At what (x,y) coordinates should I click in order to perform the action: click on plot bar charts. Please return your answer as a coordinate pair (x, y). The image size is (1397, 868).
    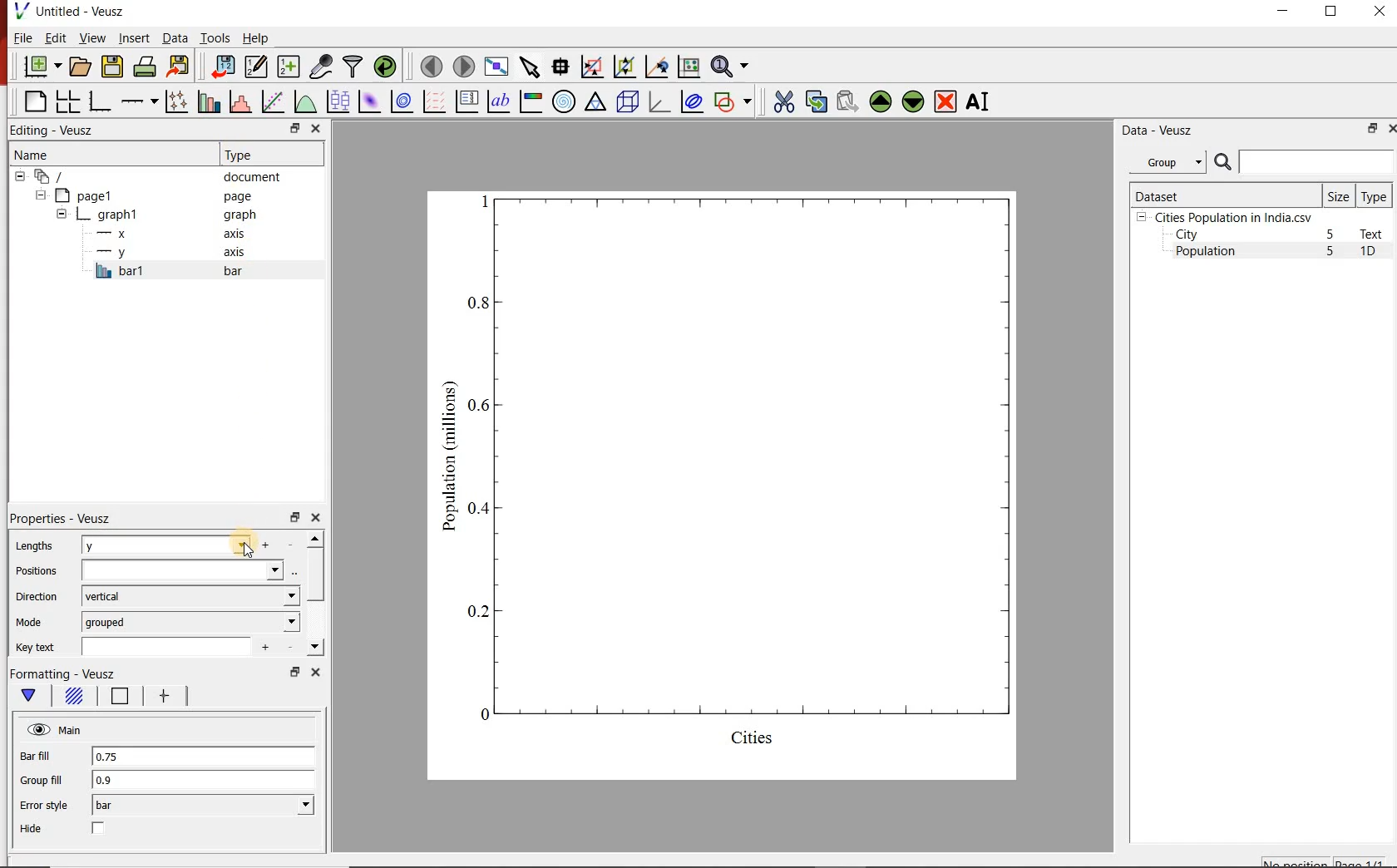
    Looking at the image, I should click on (206, 101).